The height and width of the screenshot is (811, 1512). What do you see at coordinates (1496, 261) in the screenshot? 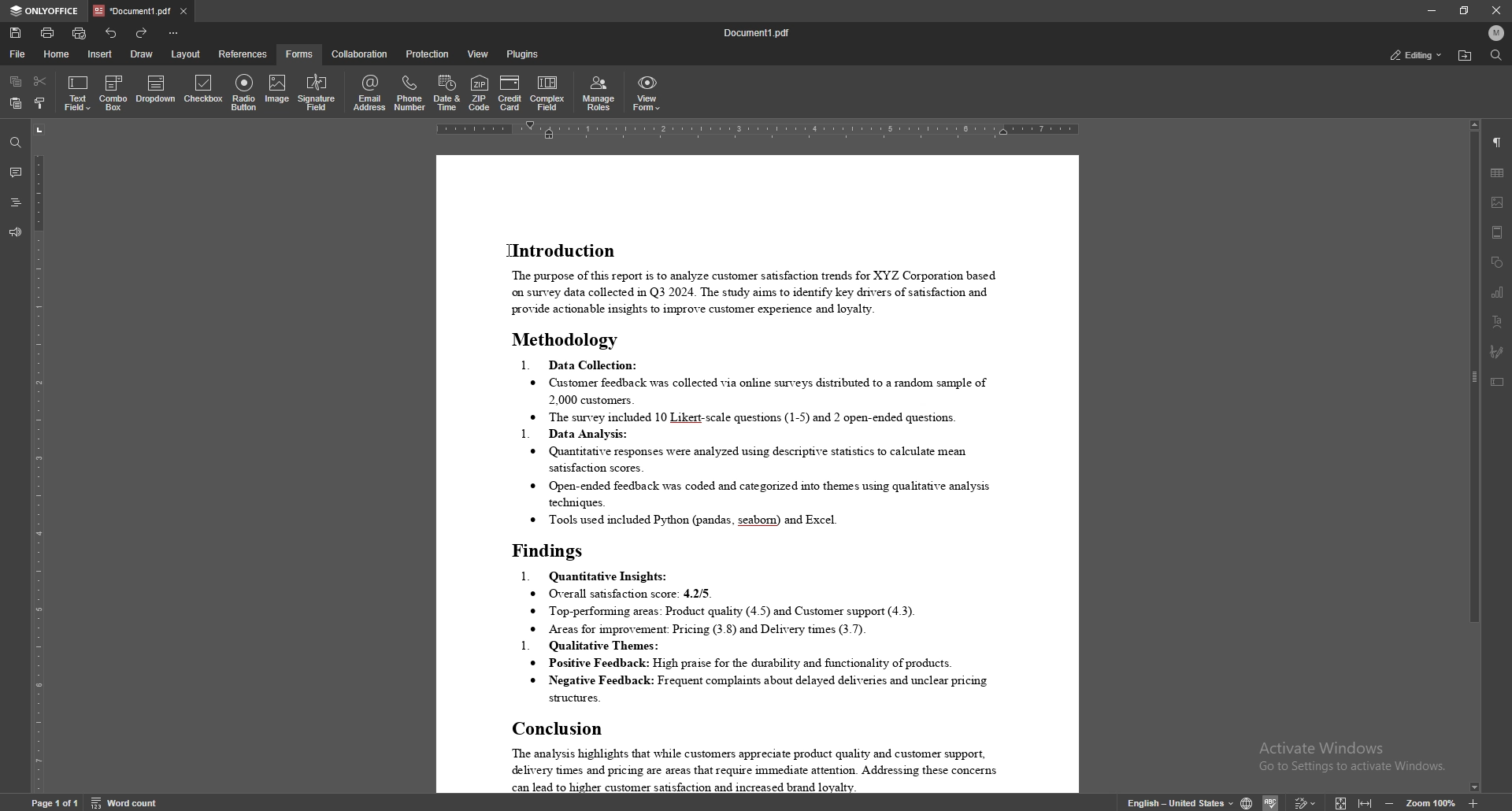
I see `shapes` at bounding box center [1496, 261].